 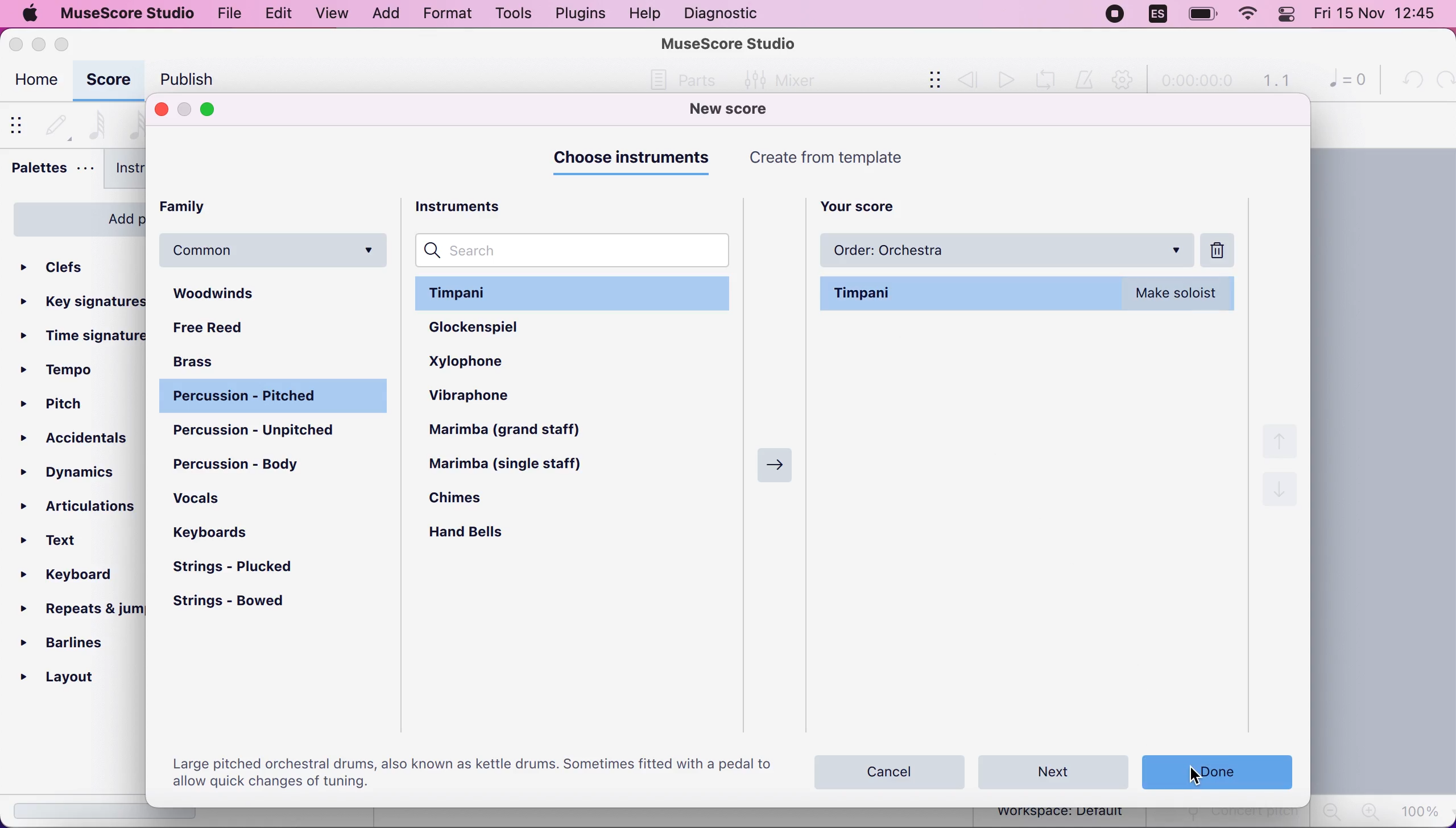 I want to click on time, so click(x=1196, y=82).